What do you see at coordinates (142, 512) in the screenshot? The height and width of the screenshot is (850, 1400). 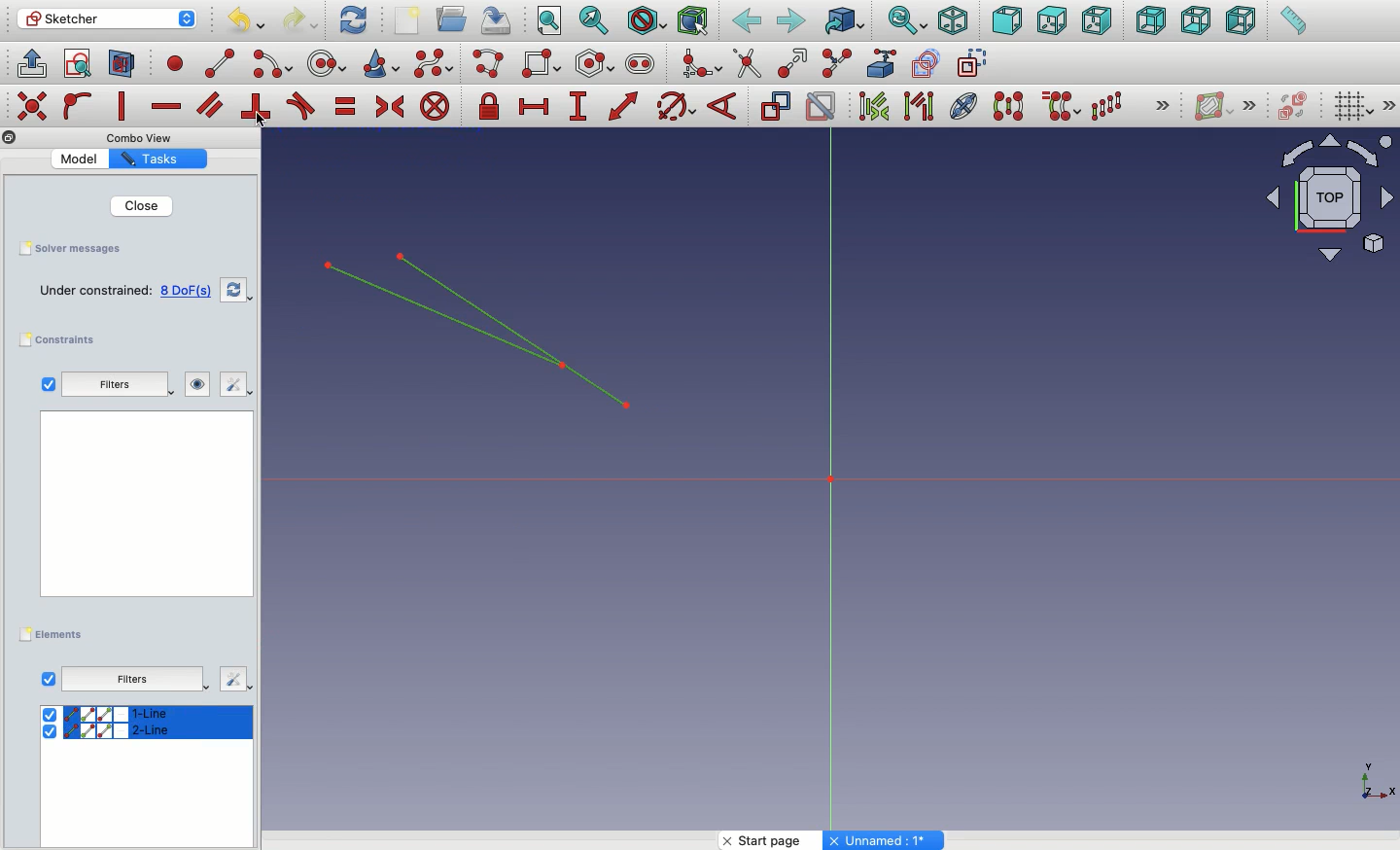 I see `` at bounding box center [142, 512].